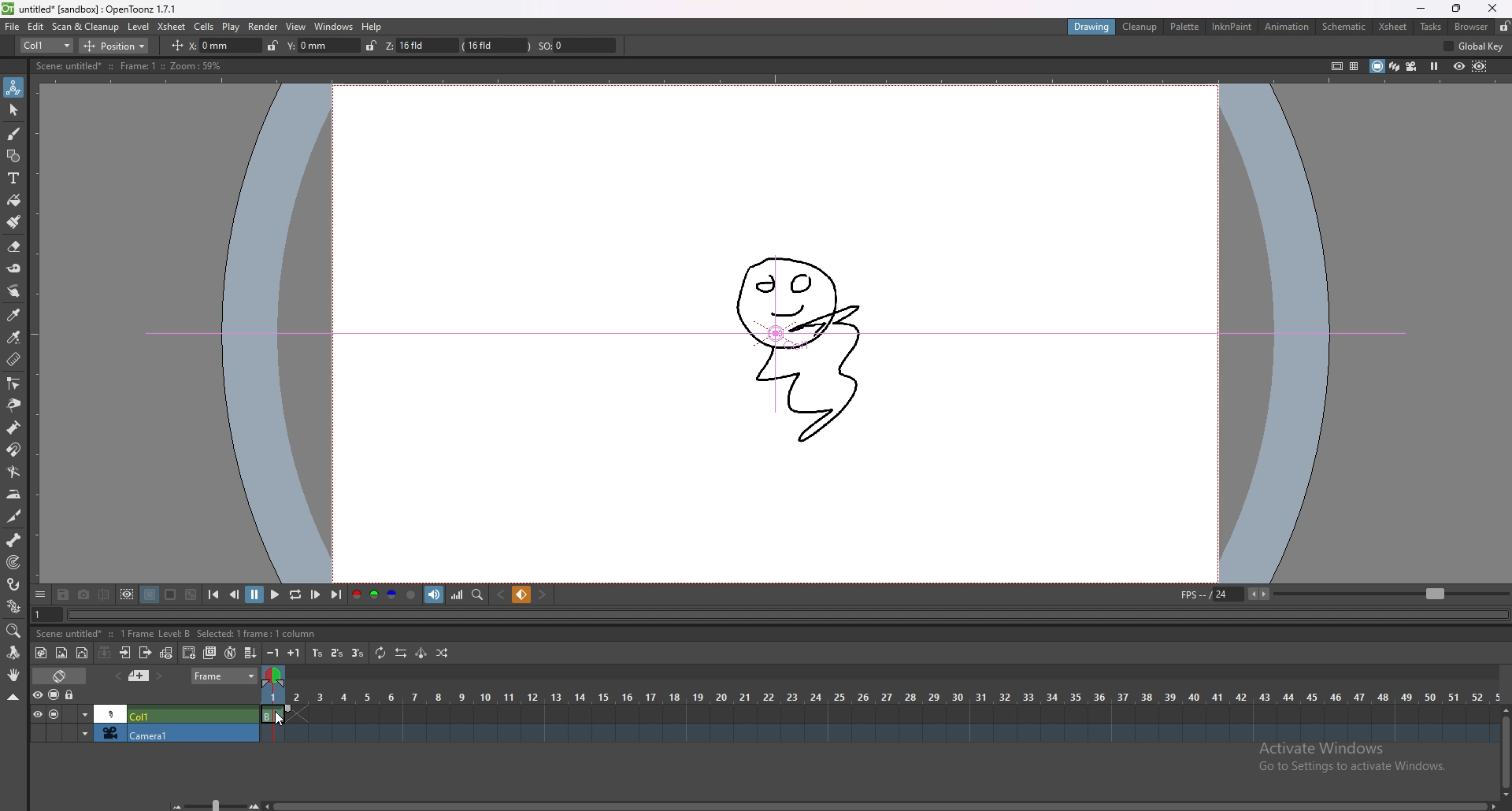  I want to click on Scrollbar, so click(883, 802).